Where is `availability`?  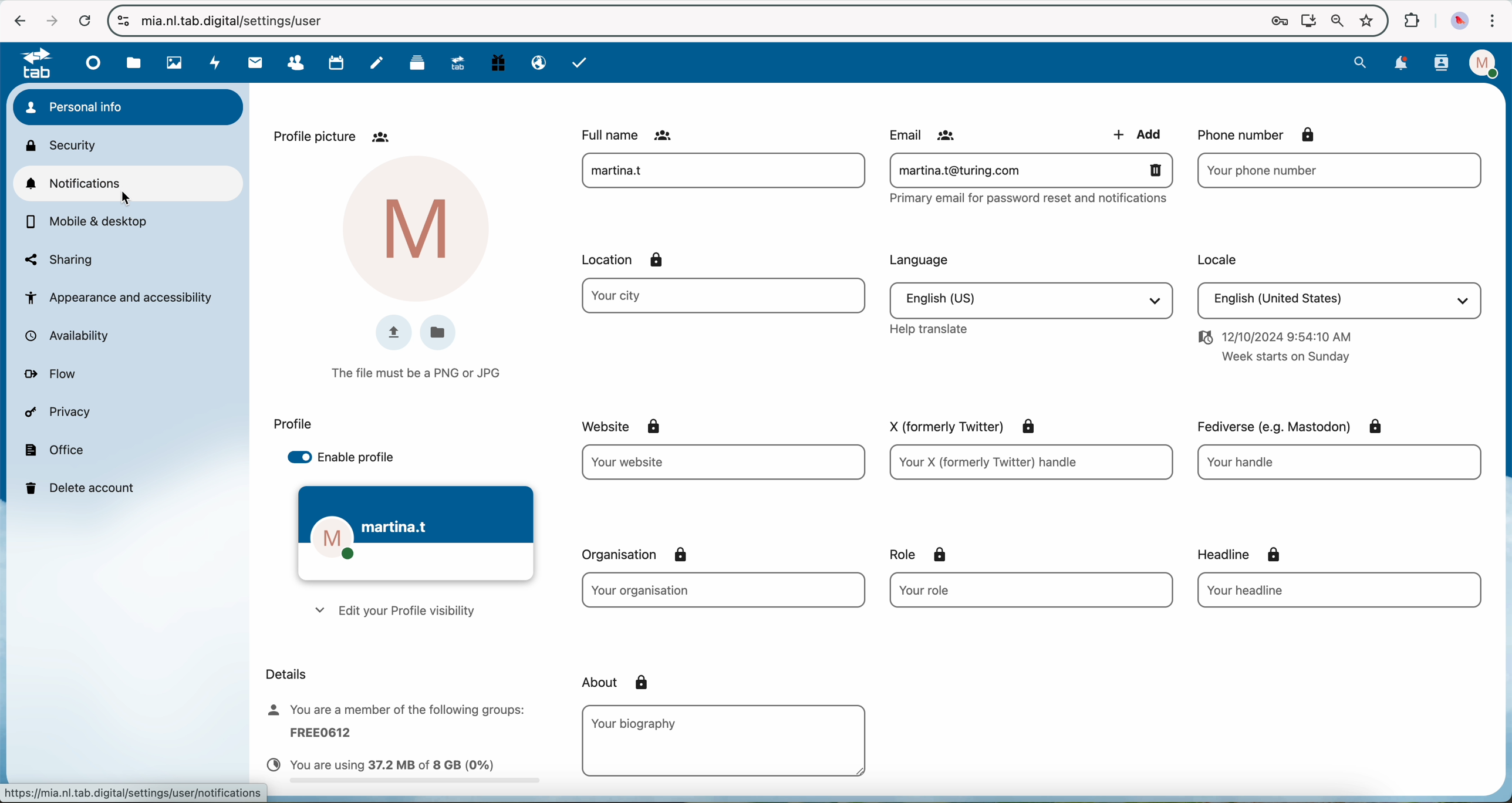 availability is located at coordinates (73, 336).